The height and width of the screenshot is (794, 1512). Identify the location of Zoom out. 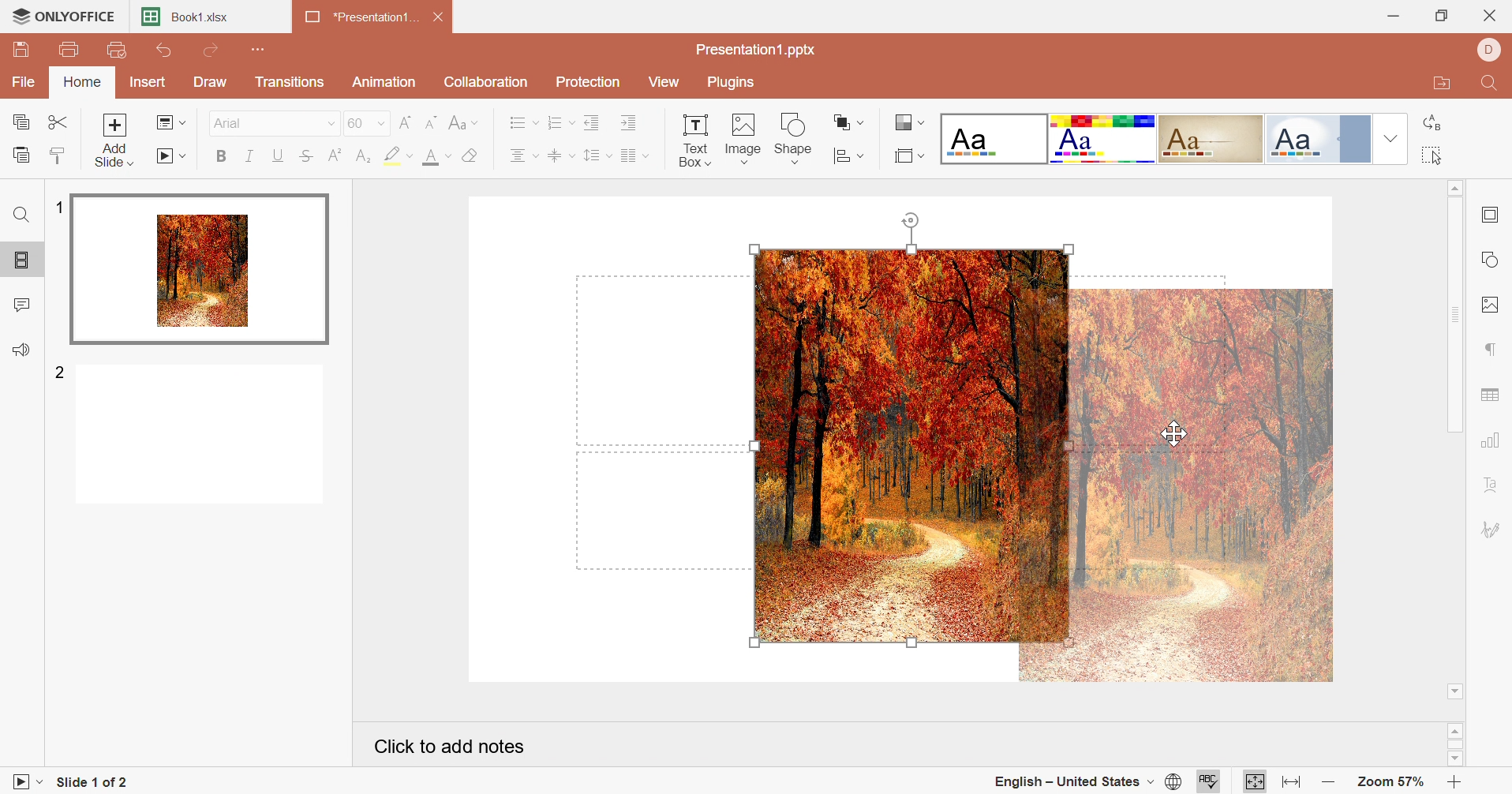
(1327, 783).